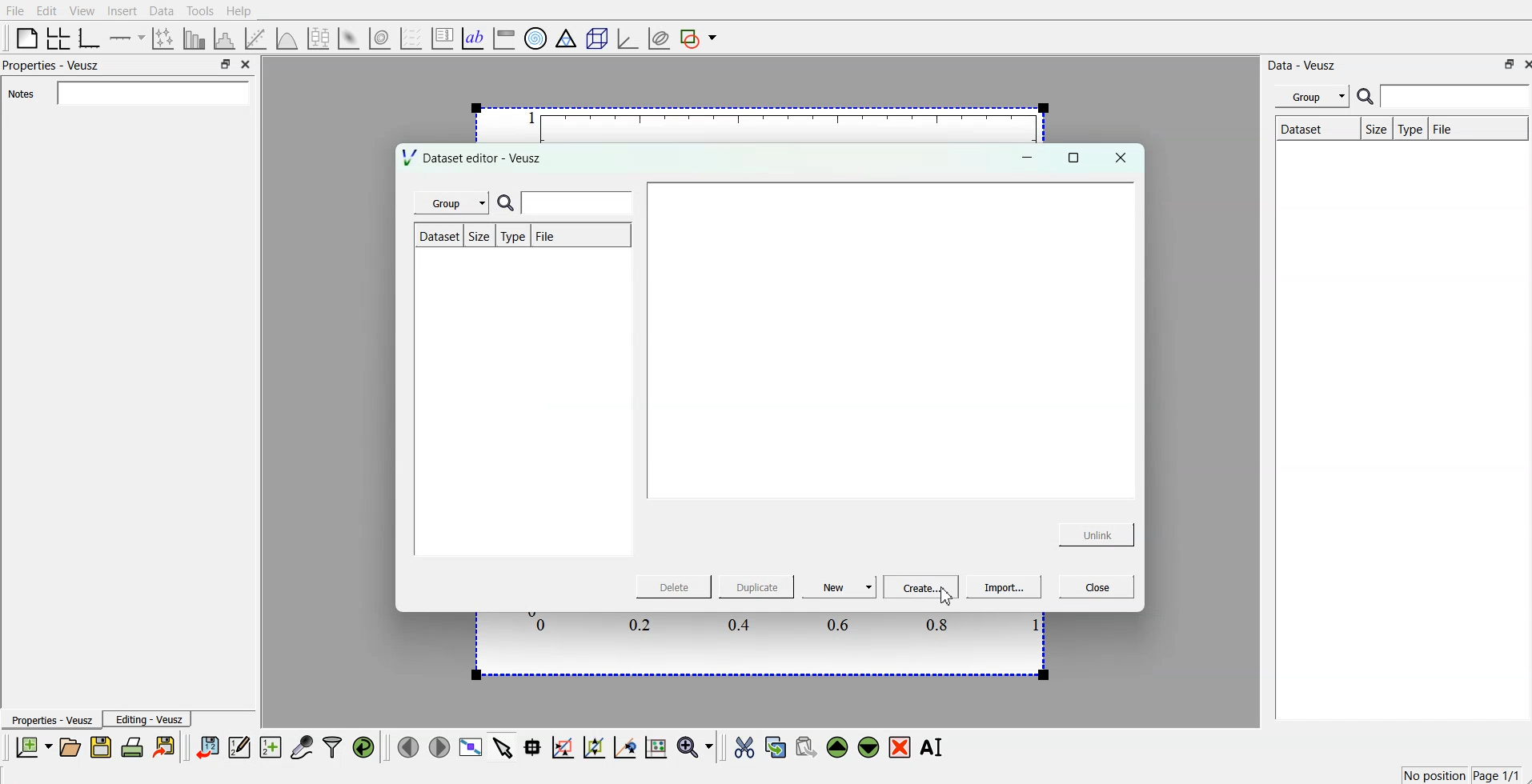 The width and height of the screenshot is (1532, 784). I want to click on save document, so click(101, 748).